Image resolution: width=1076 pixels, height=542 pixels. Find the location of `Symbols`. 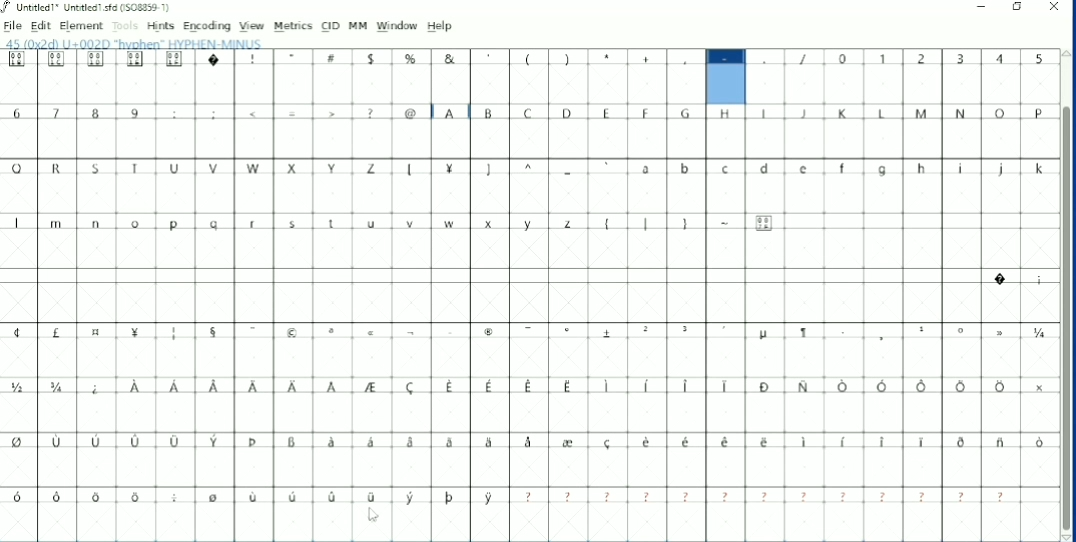

Symbols is located at coordinates (508, 168).